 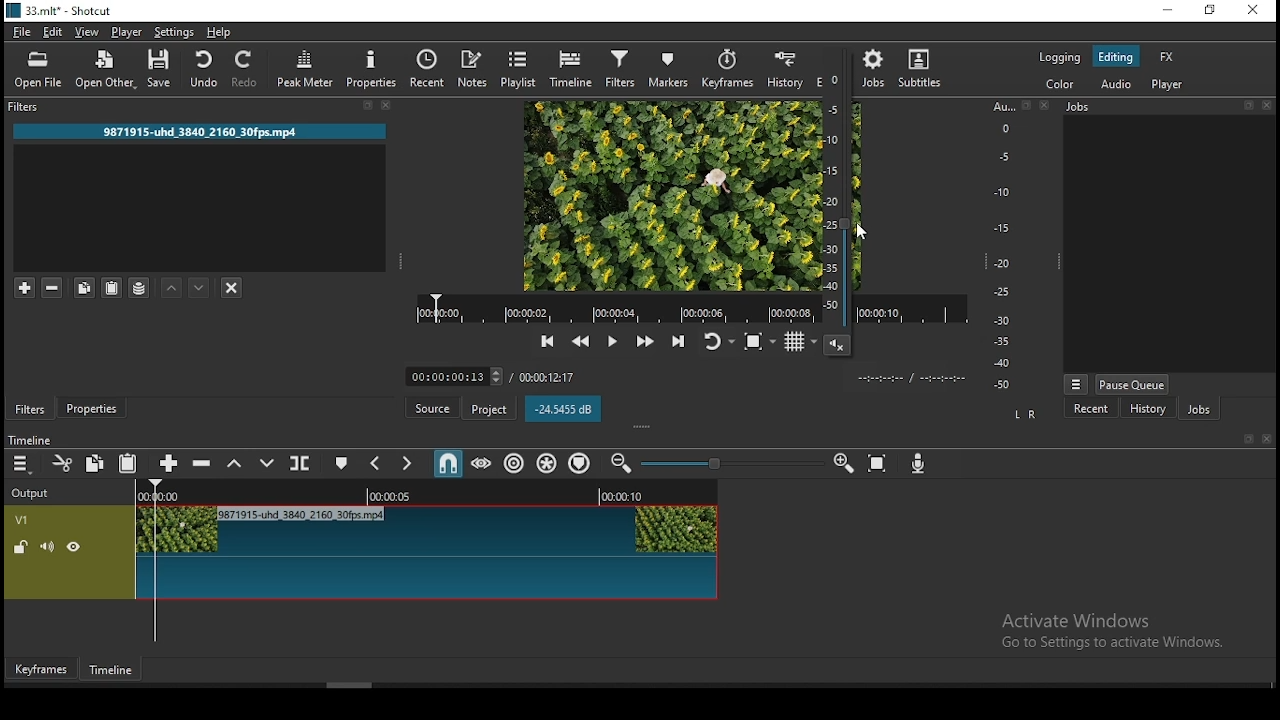 What do you see at coordinates (1168, 58) in the screenshot?
I see `fx` at bounding box center [1168, 58].